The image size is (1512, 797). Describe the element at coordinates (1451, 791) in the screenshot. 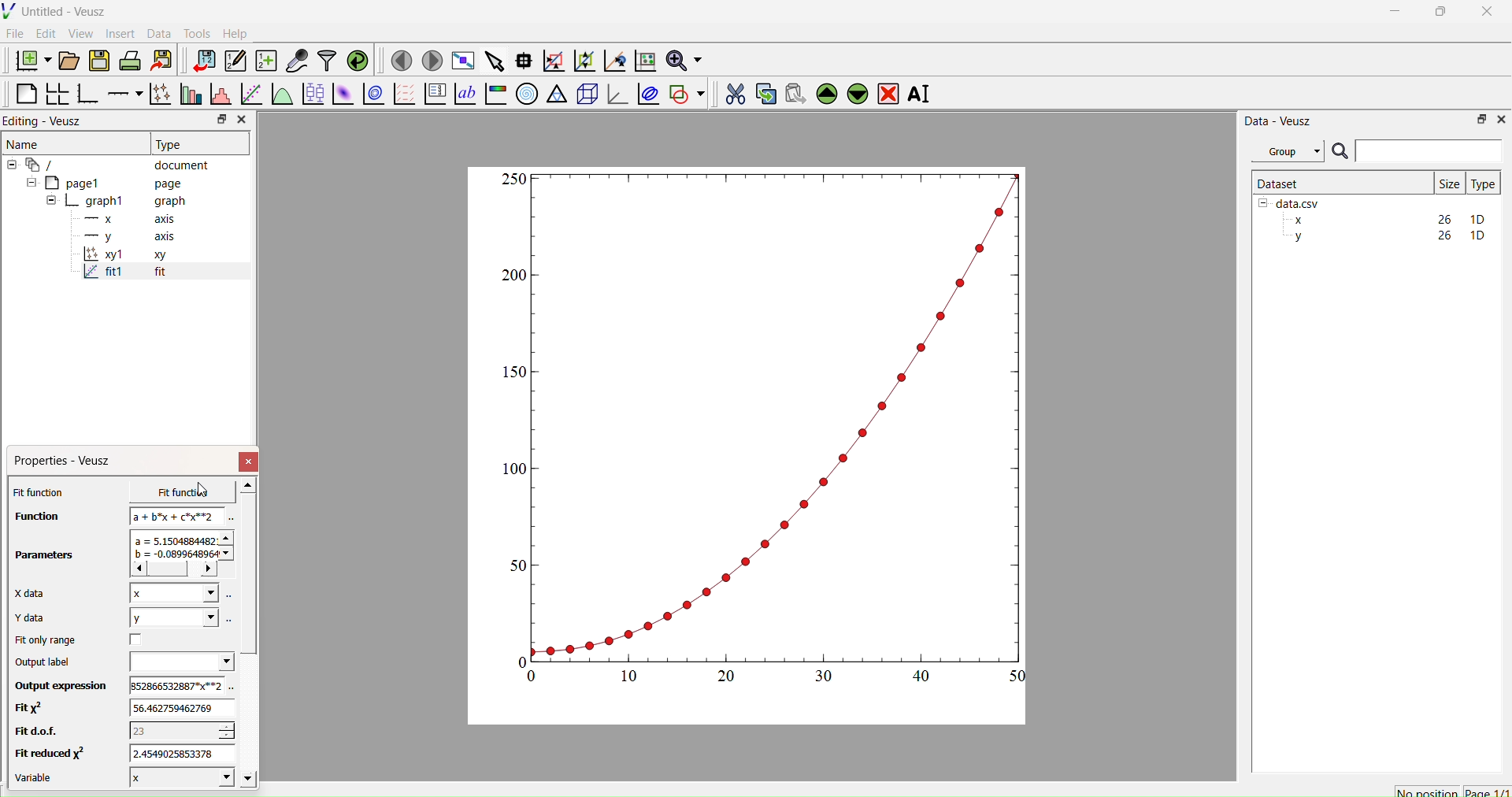

I see `No position Page 1/1` at that location.